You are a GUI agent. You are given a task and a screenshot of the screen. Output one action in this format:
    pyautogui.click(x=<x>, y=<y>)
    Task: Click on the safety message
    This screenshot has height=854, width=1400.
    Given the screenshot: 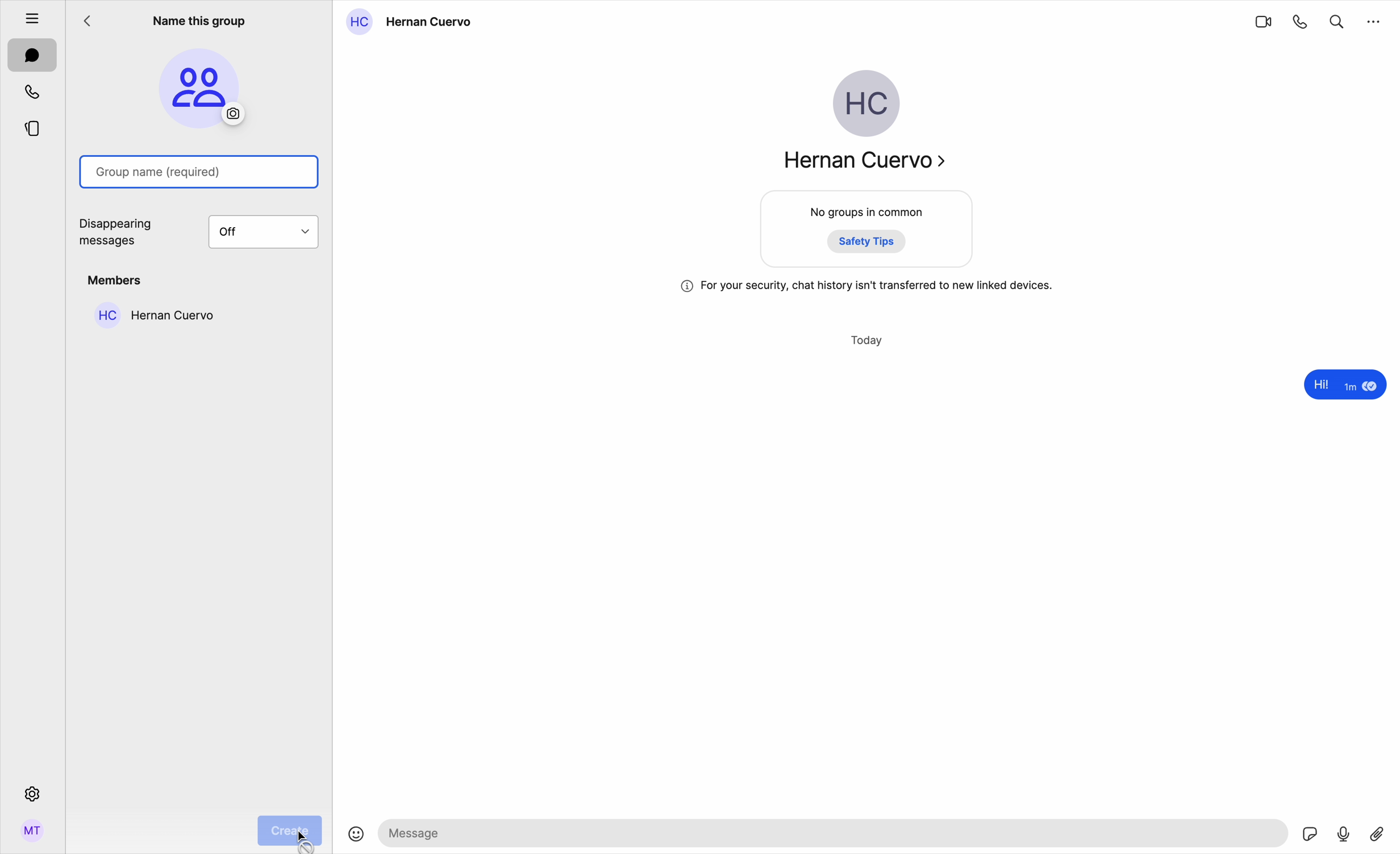 What is the action you would take?
    pyautogui.click(x=867, y=286)
    